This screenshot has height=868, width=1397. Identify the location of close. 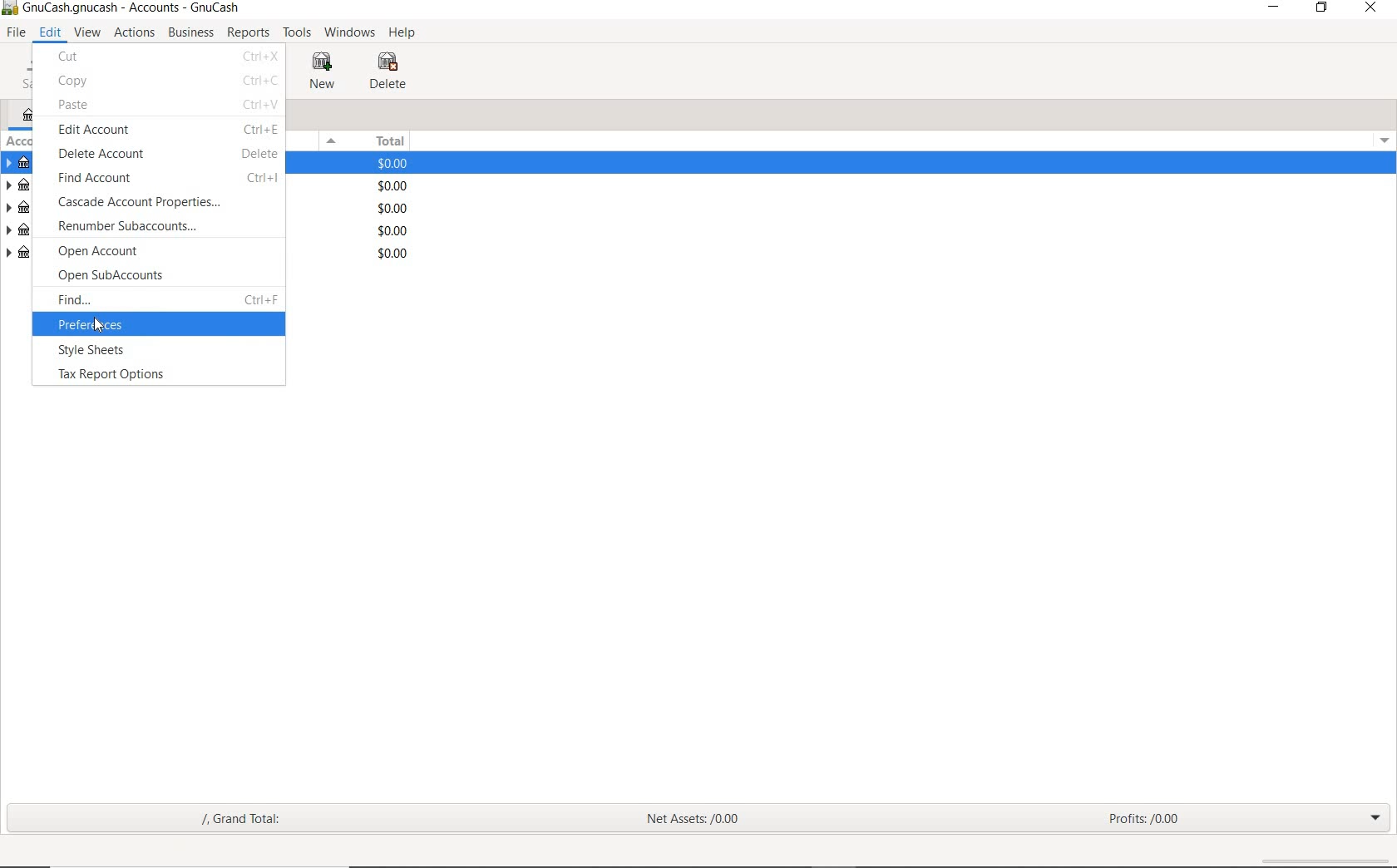
(1373, 9).